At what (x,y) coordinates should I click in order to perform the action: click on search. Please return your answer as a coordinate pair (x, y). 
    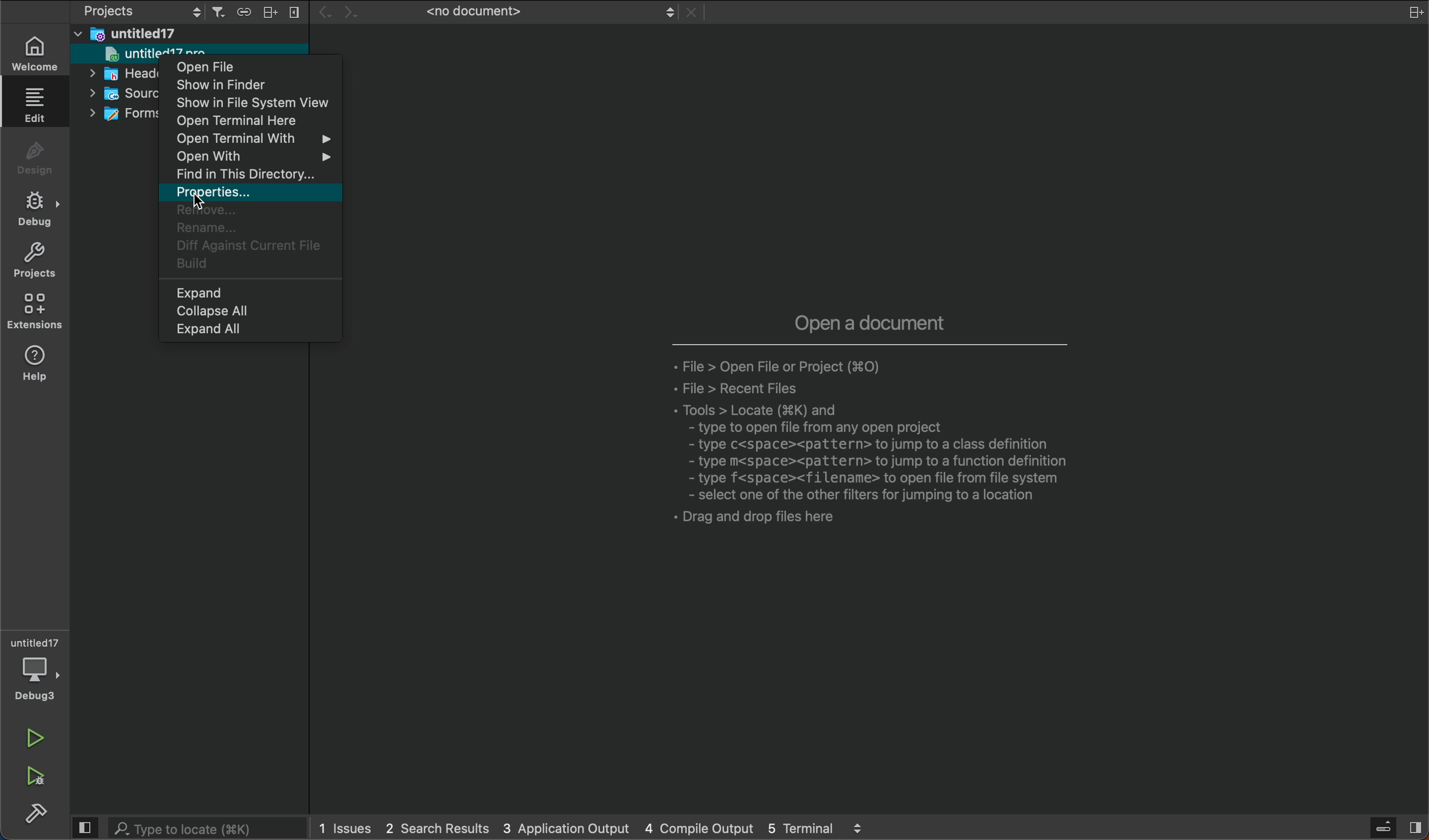
    Looking at the image, I should click on (188, 829).